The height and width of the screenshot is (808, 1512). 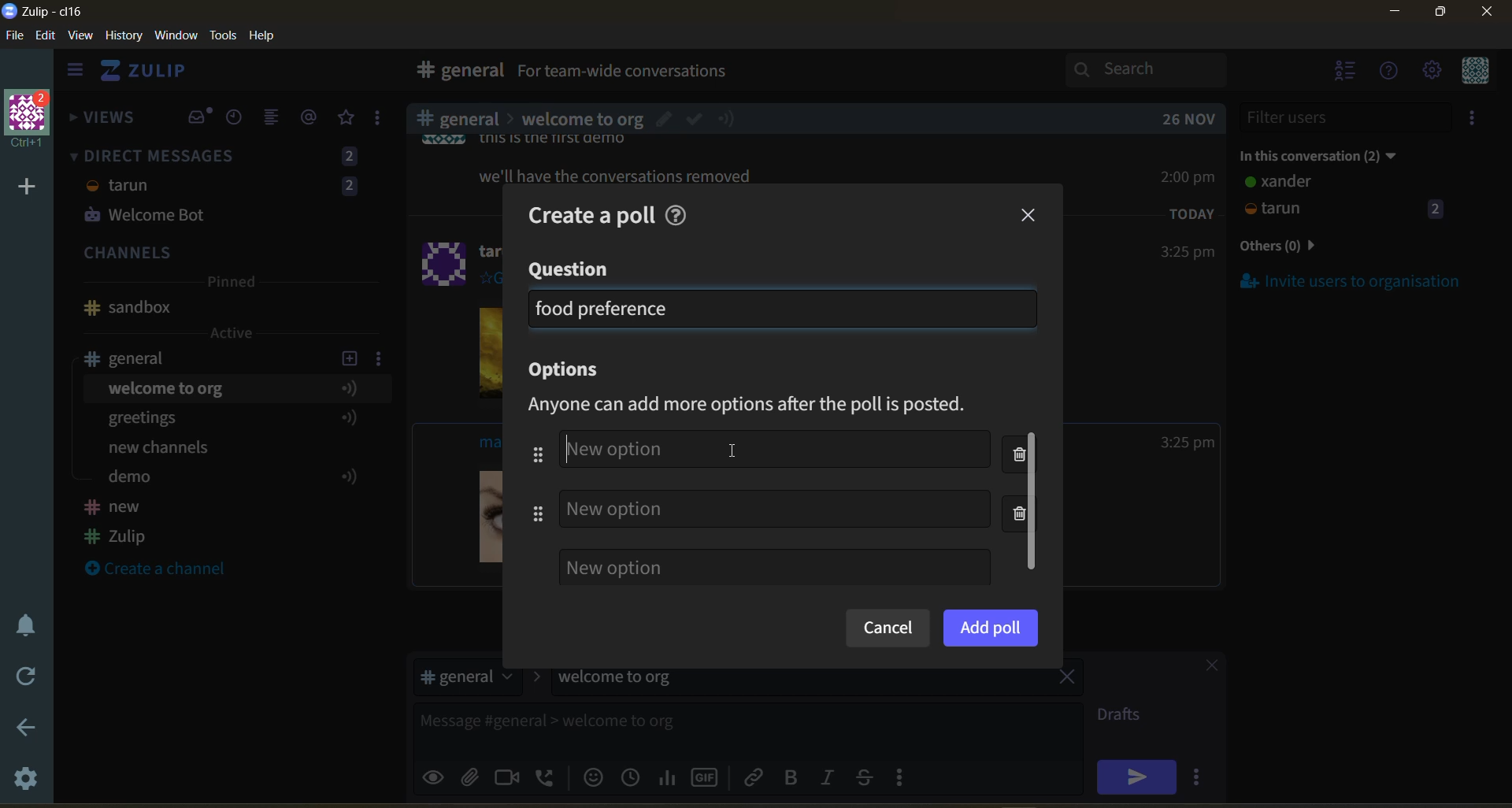 What do you see at coordinates (348, 356) in the screenshot?
I see `add new topic` at bounding box center [348, 356].